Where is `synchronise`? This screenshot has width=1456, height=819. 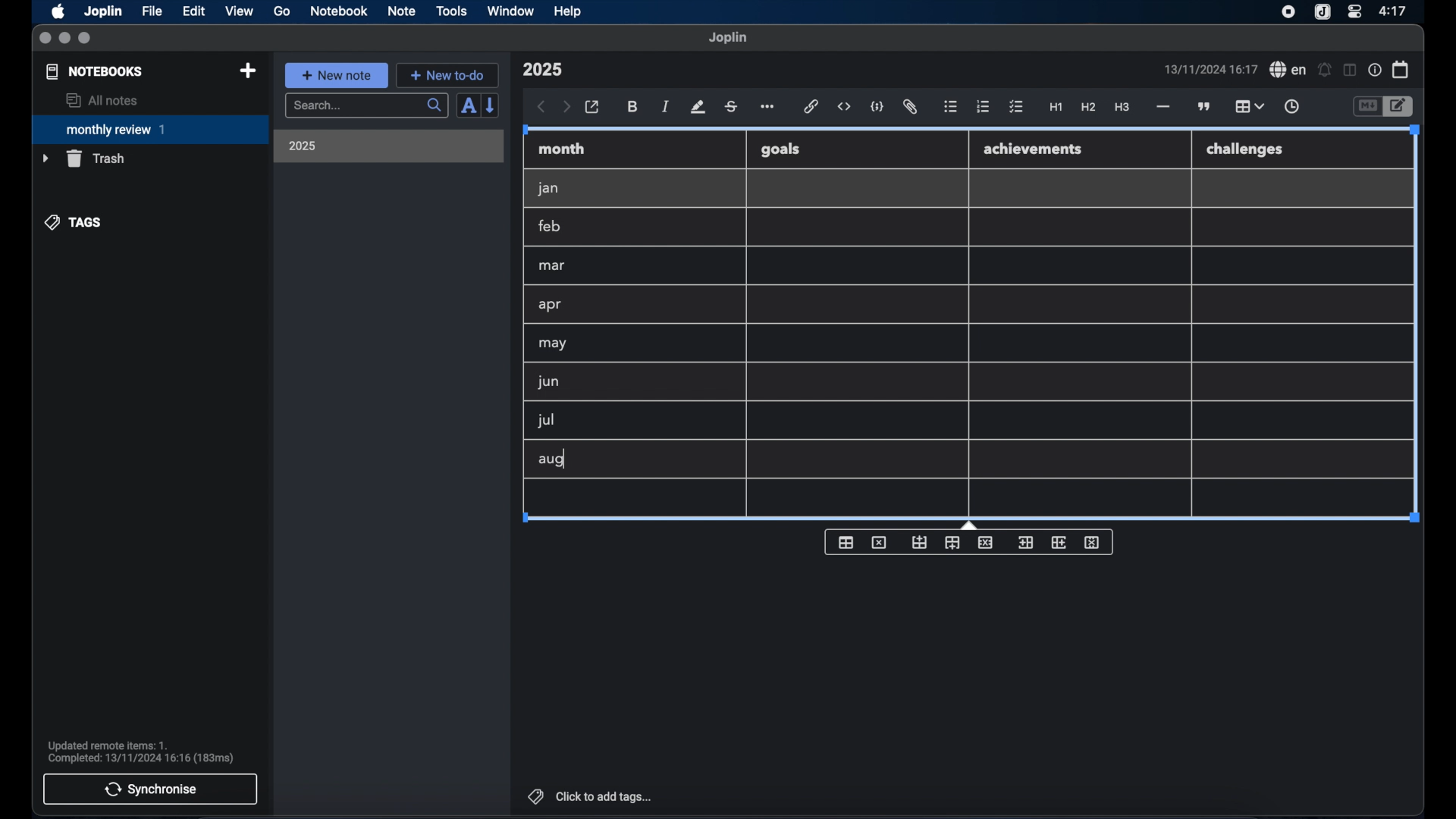
synchronise is located at coordinates (150, 789).